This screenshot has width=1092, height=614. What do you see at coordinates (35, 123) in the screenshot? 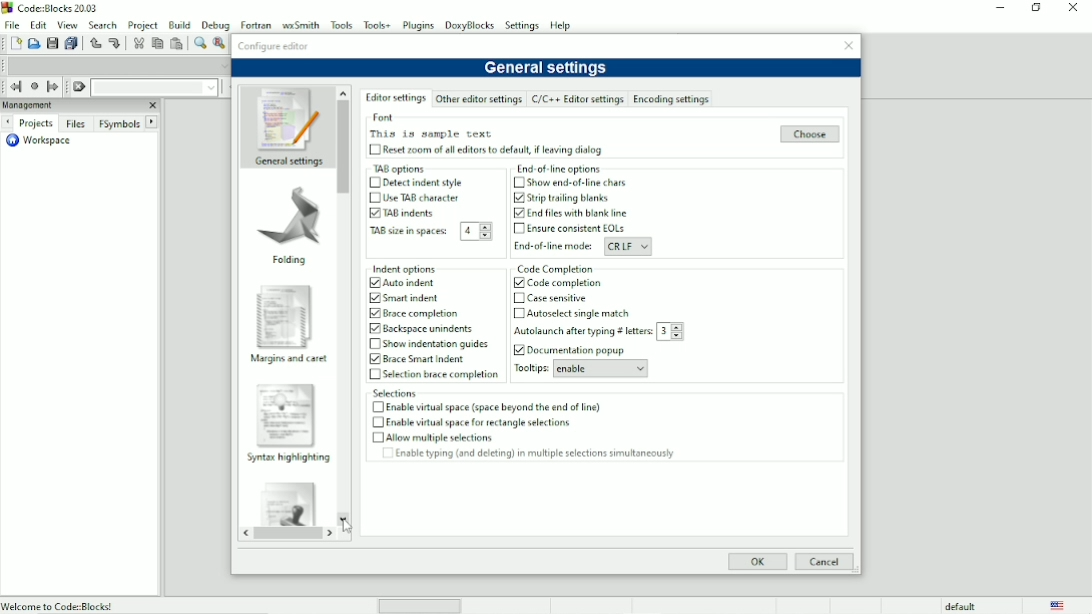
I see `Projects` at bounding box center [35, 123].